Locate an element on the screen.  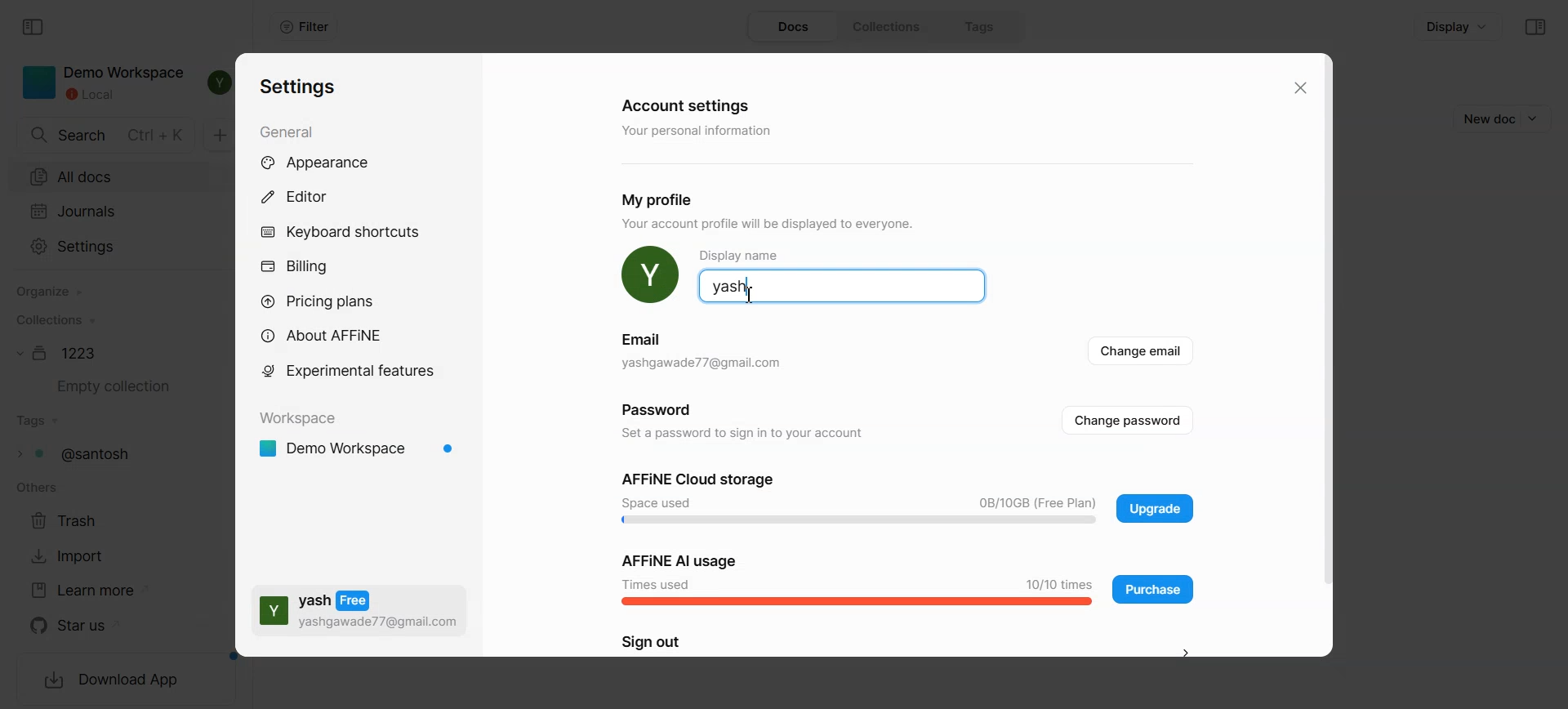
Display name is located at coordinates (841, 276).